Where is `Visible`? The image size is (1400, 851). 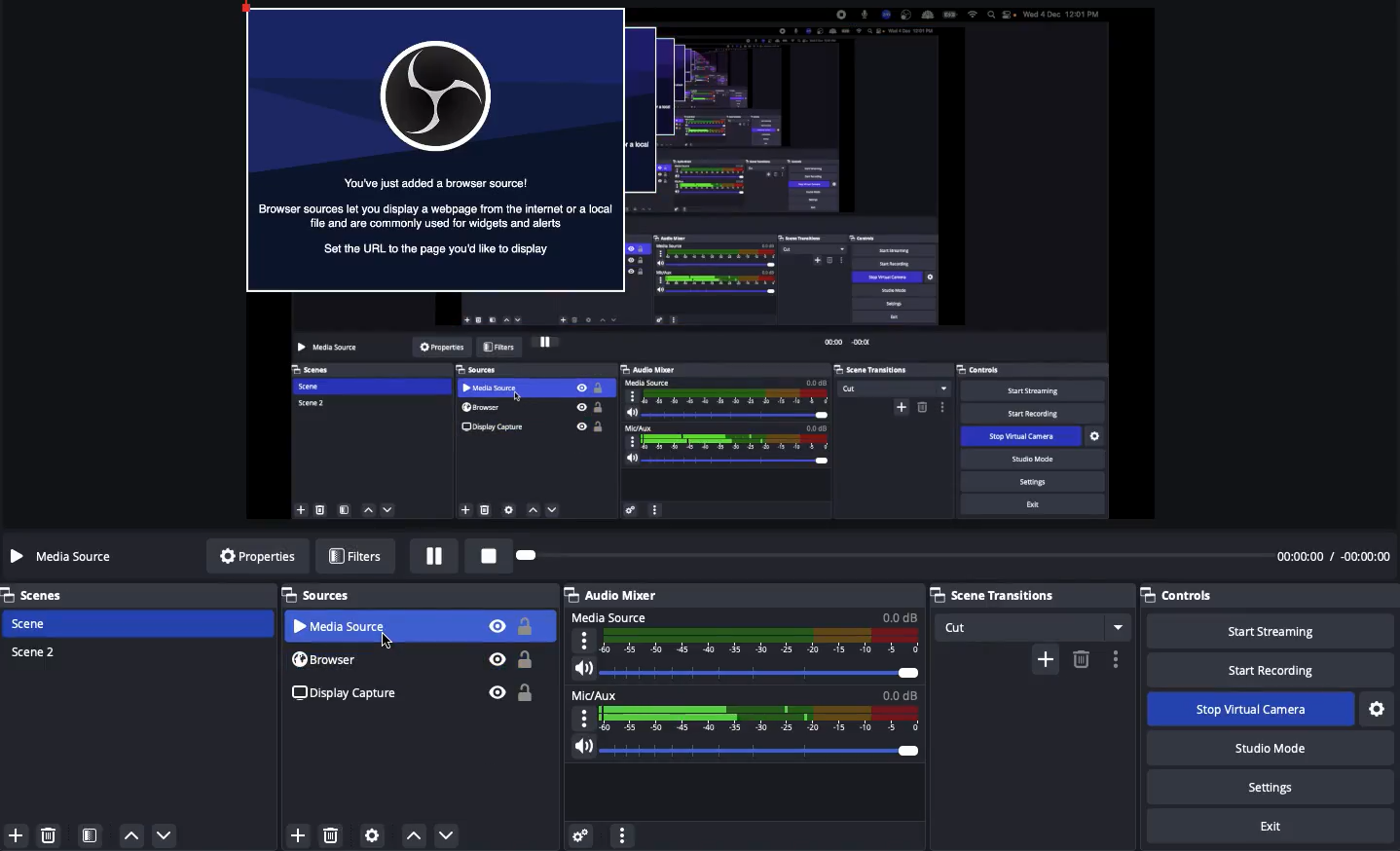
Visible is located at coordinates (496, 659).